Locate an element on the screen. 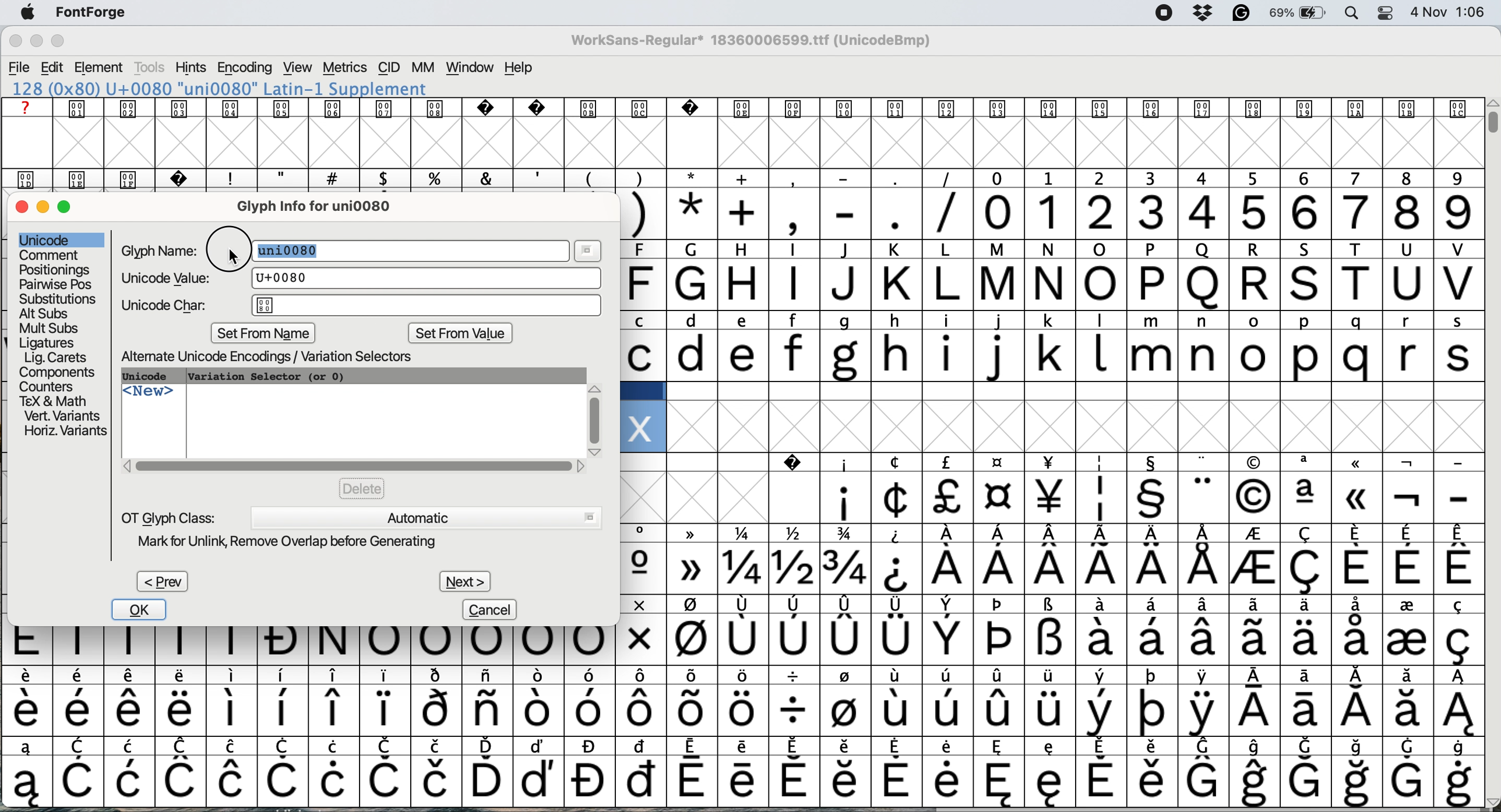  special characters is located at coordinates (737, 647).